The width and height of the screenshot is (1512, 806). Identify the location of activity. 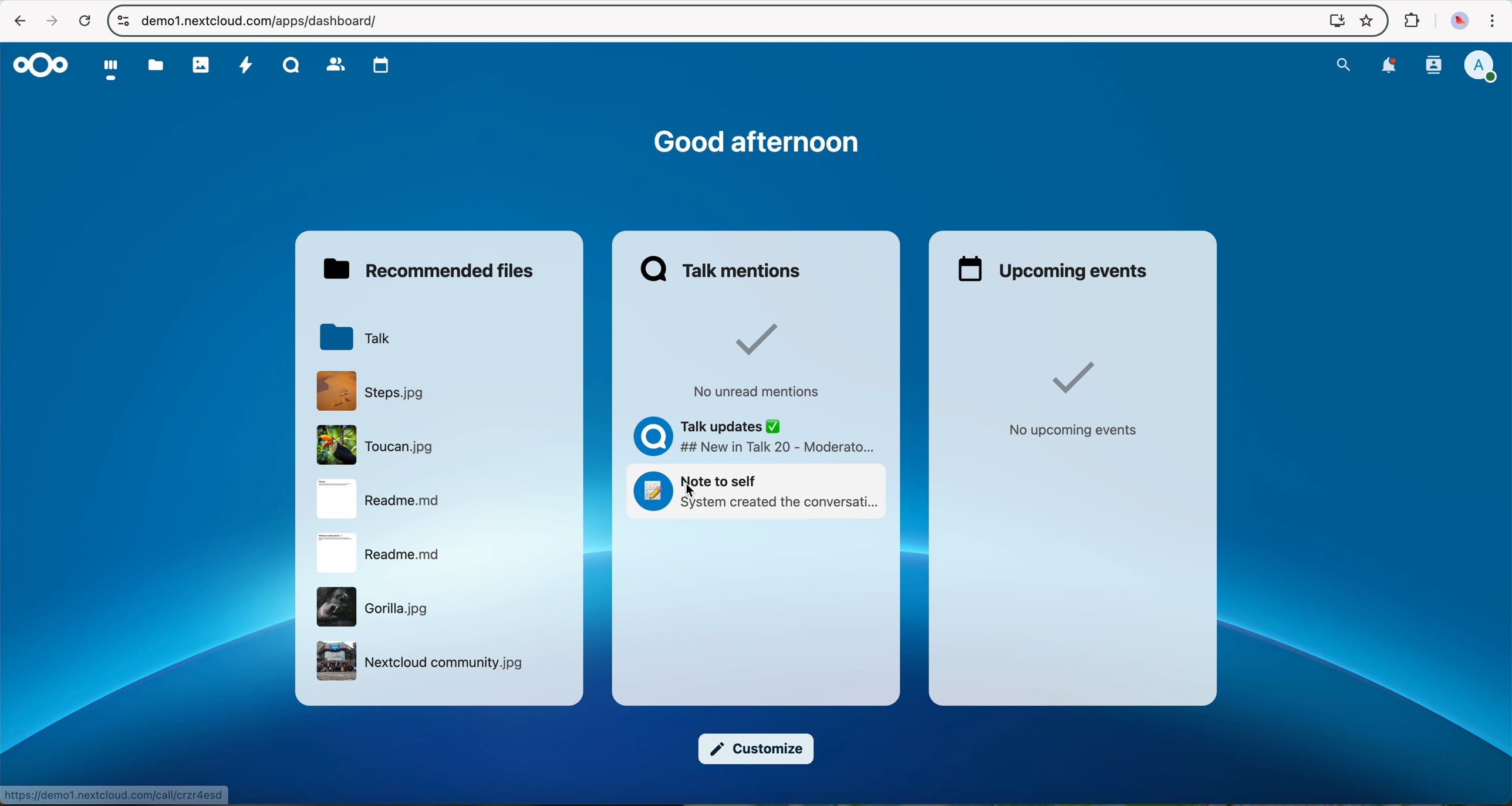
(248, 65).